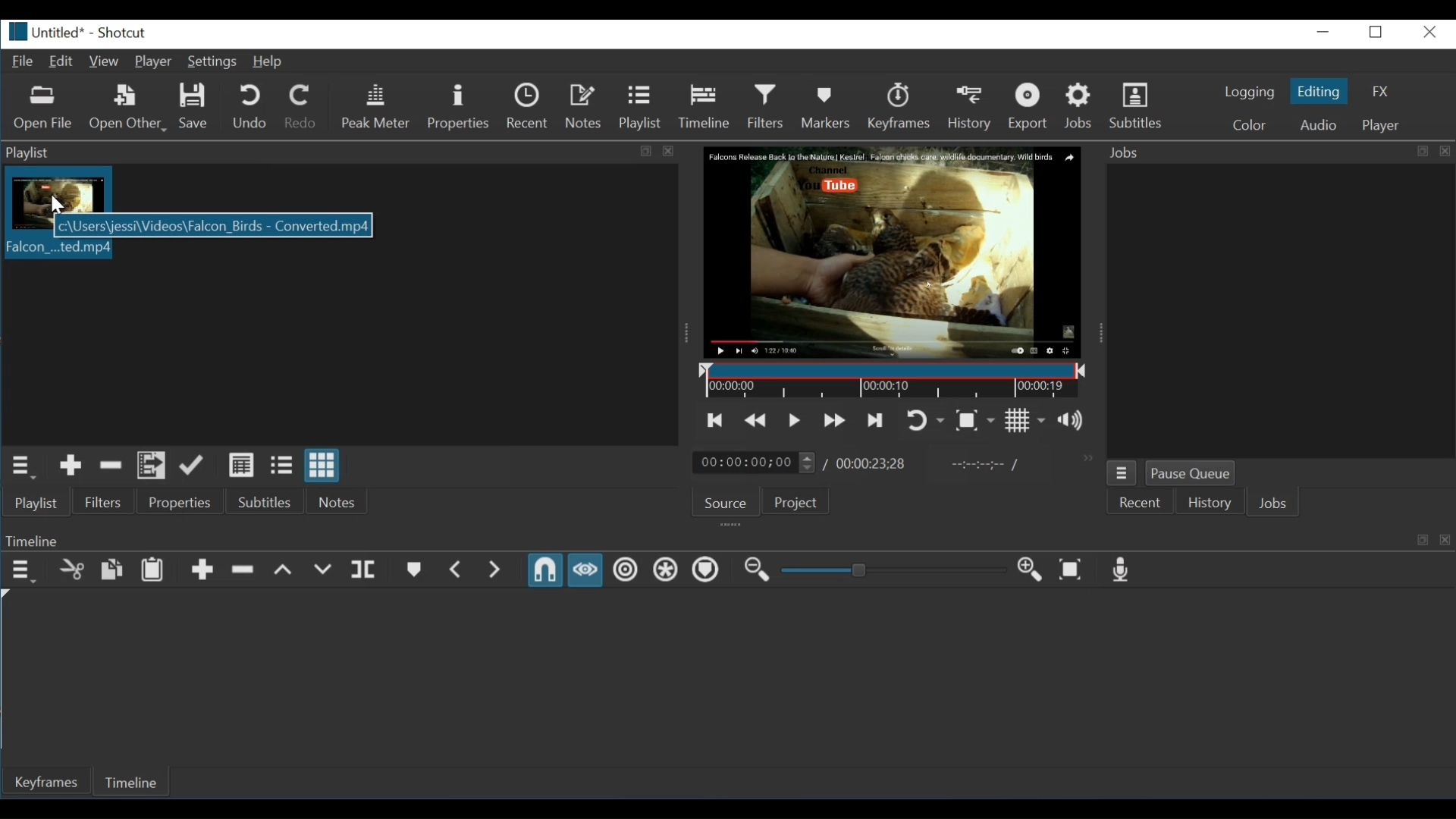  Describe the element at coordinates (974, 421) in the screenshot. I see `Toggle zoom` at that location.